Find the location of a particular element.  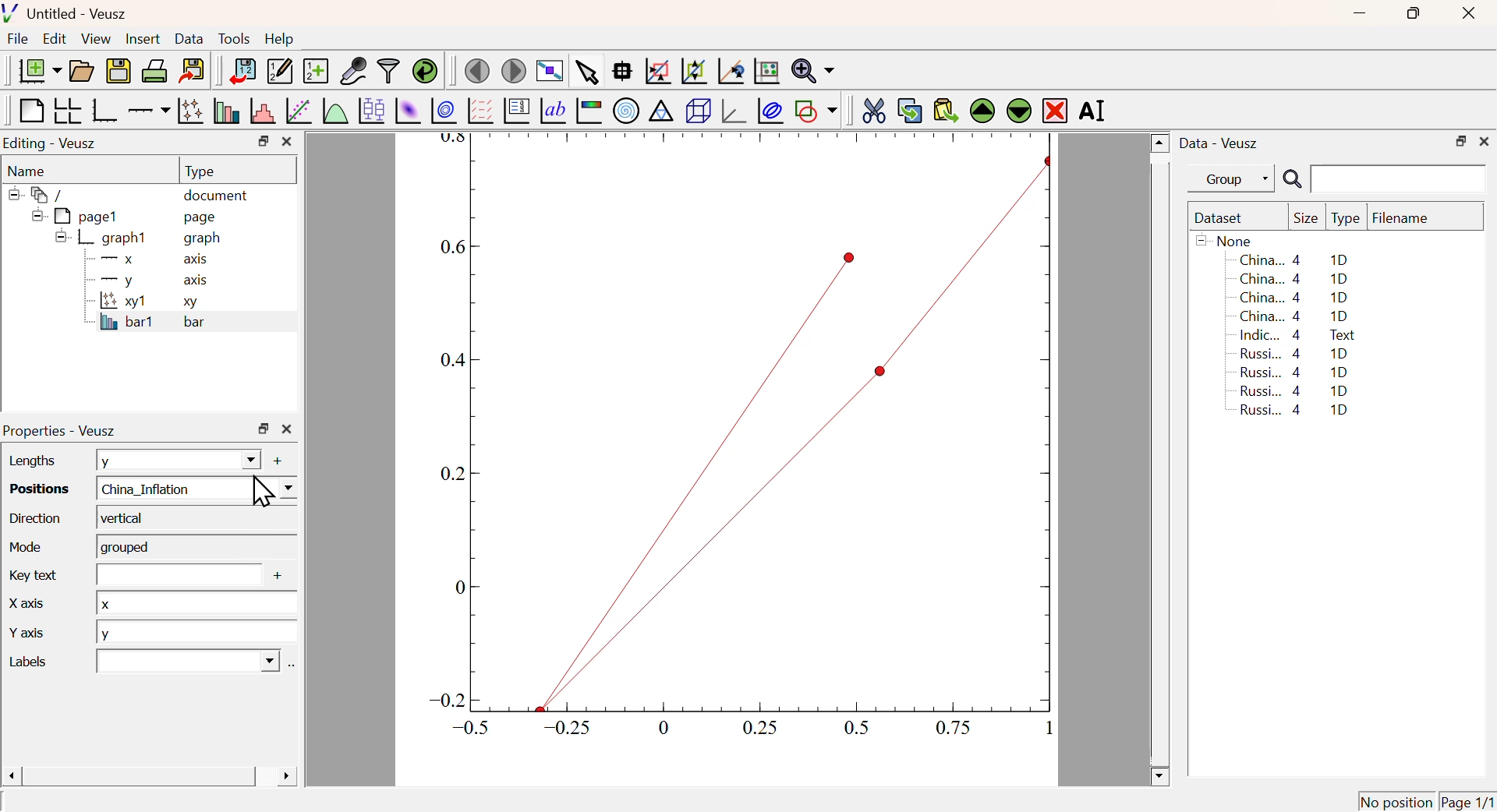

Plot Key is located at coordinates (515, 110).